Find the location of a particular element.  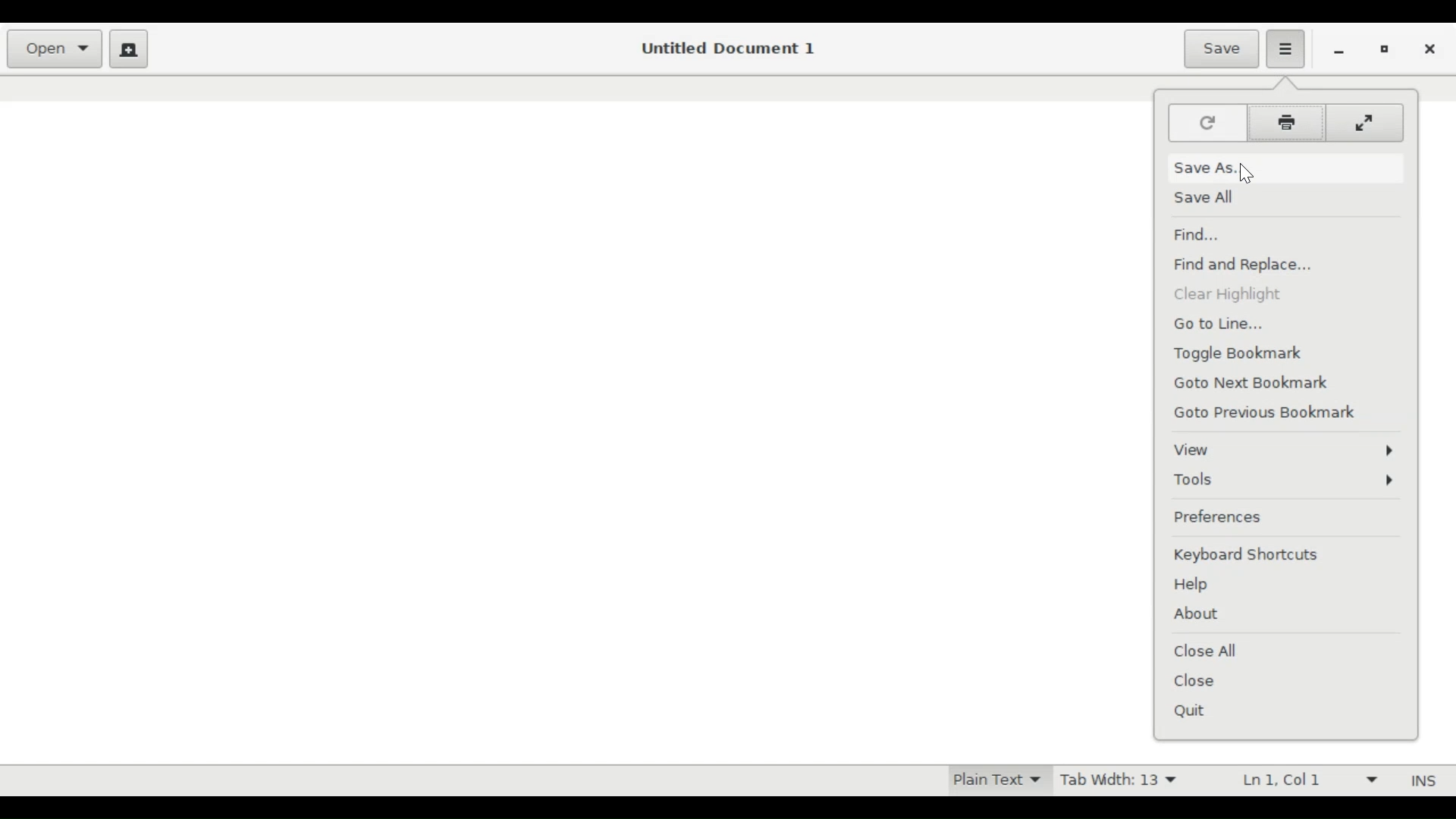

Goto Next Bookmark is located at coordinates (1254, 381).